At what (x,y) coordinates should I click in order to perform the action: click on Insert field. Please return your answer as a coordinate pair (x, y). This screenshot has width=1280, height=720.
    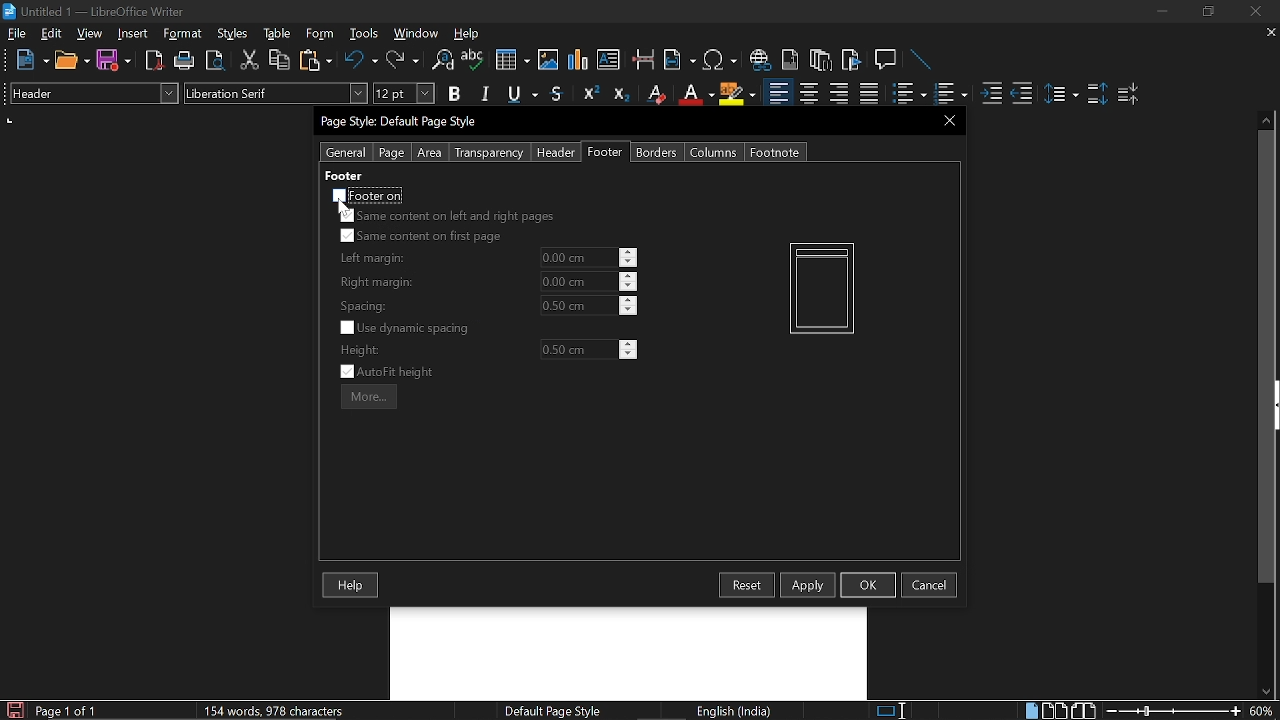
    Looking at the image, I should click on (680, 61).